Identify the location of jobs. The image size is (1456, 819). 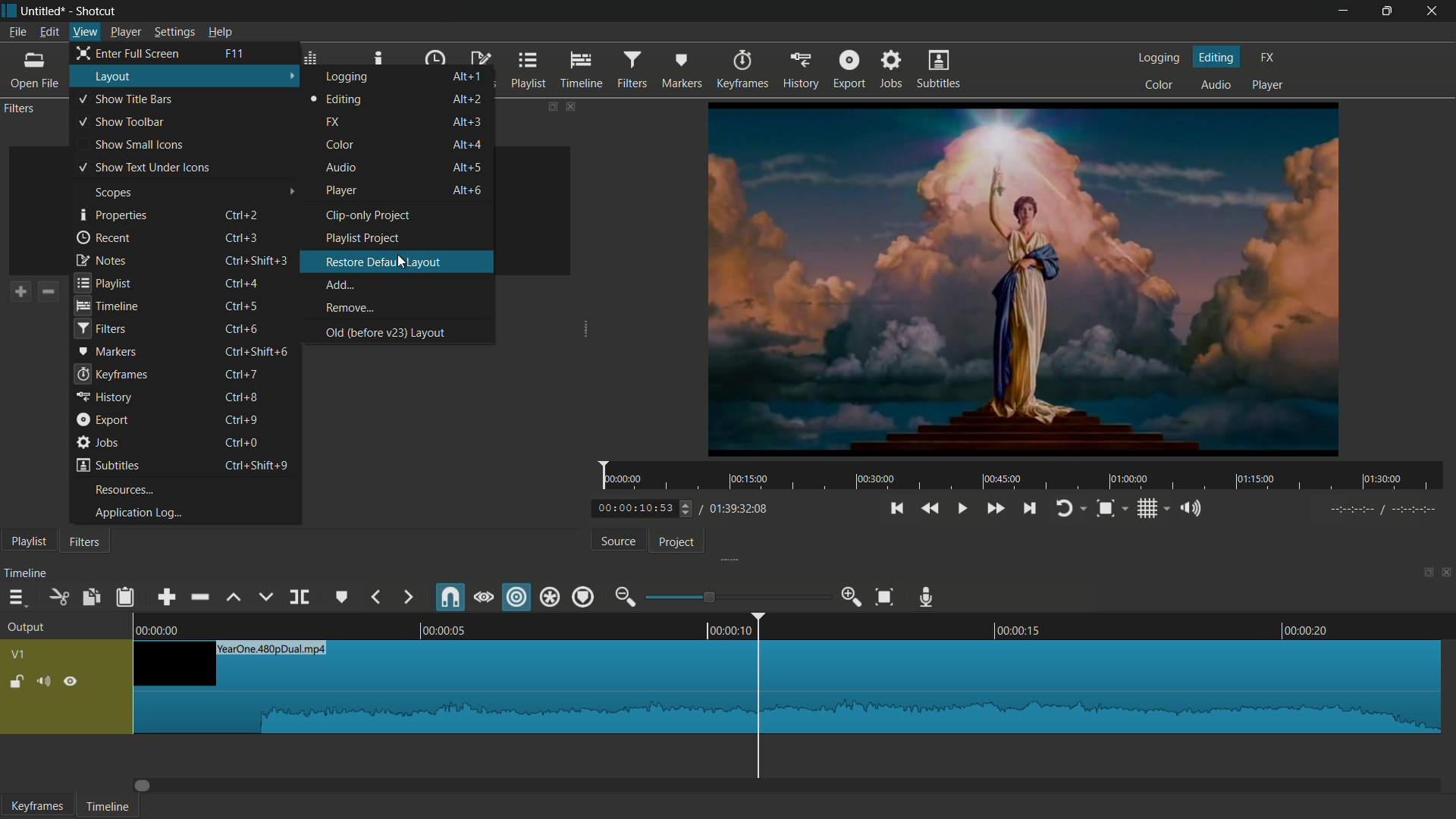
(98, 442).